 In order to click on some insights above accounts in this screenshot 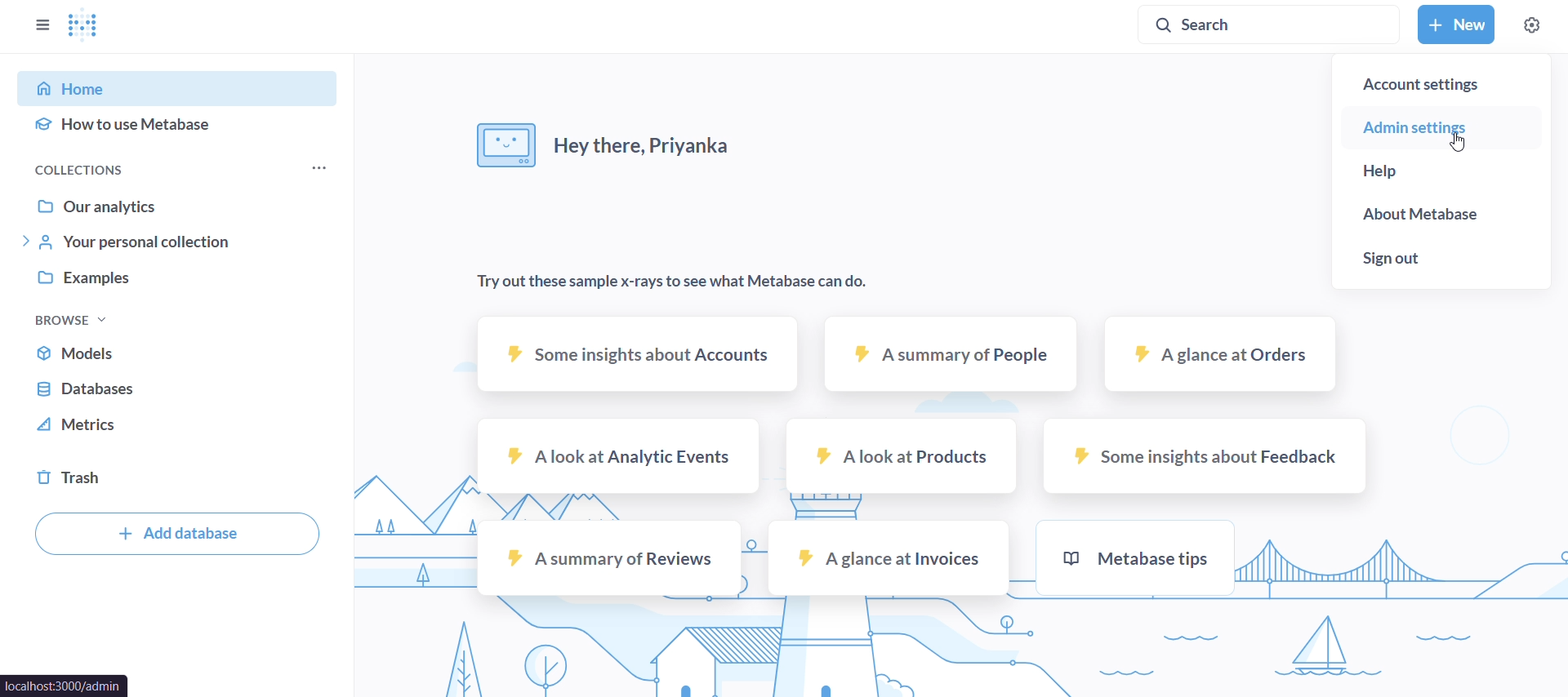, I will do `click(634, 354)`.